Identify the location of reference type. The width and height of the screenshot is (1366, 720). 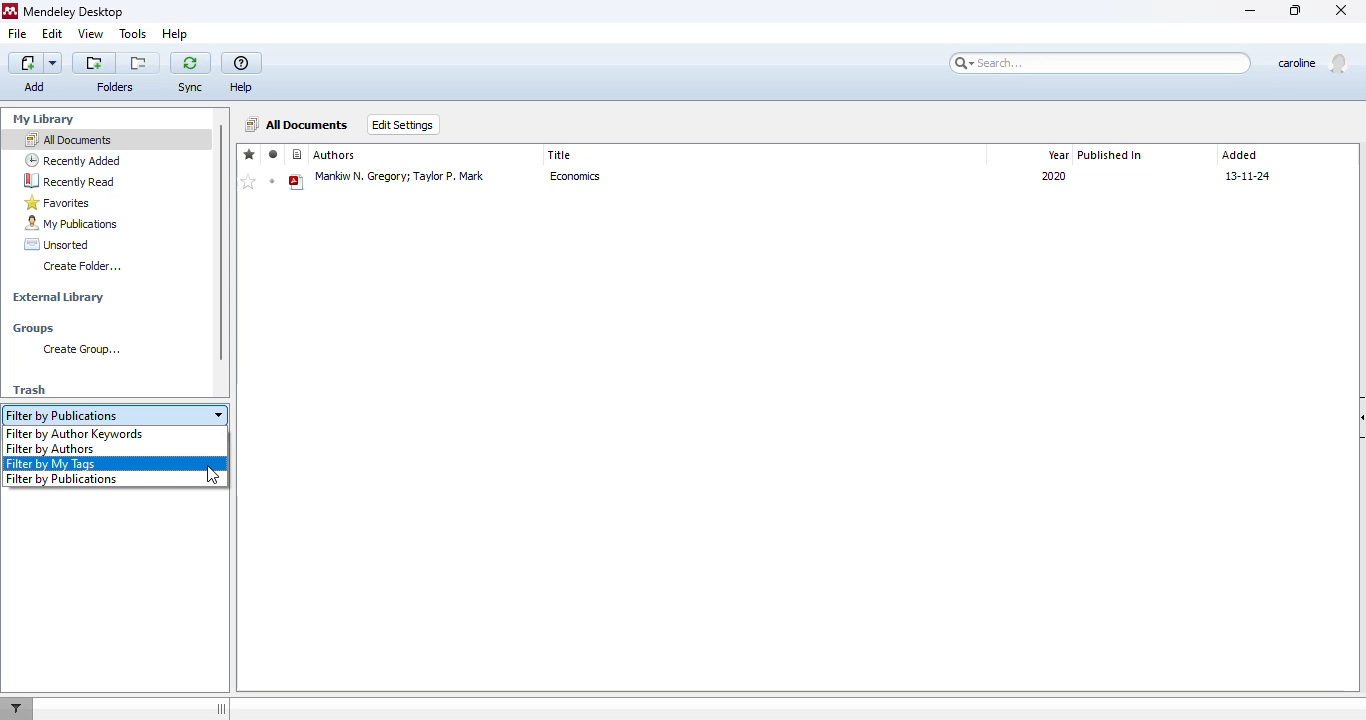
(298, 155).